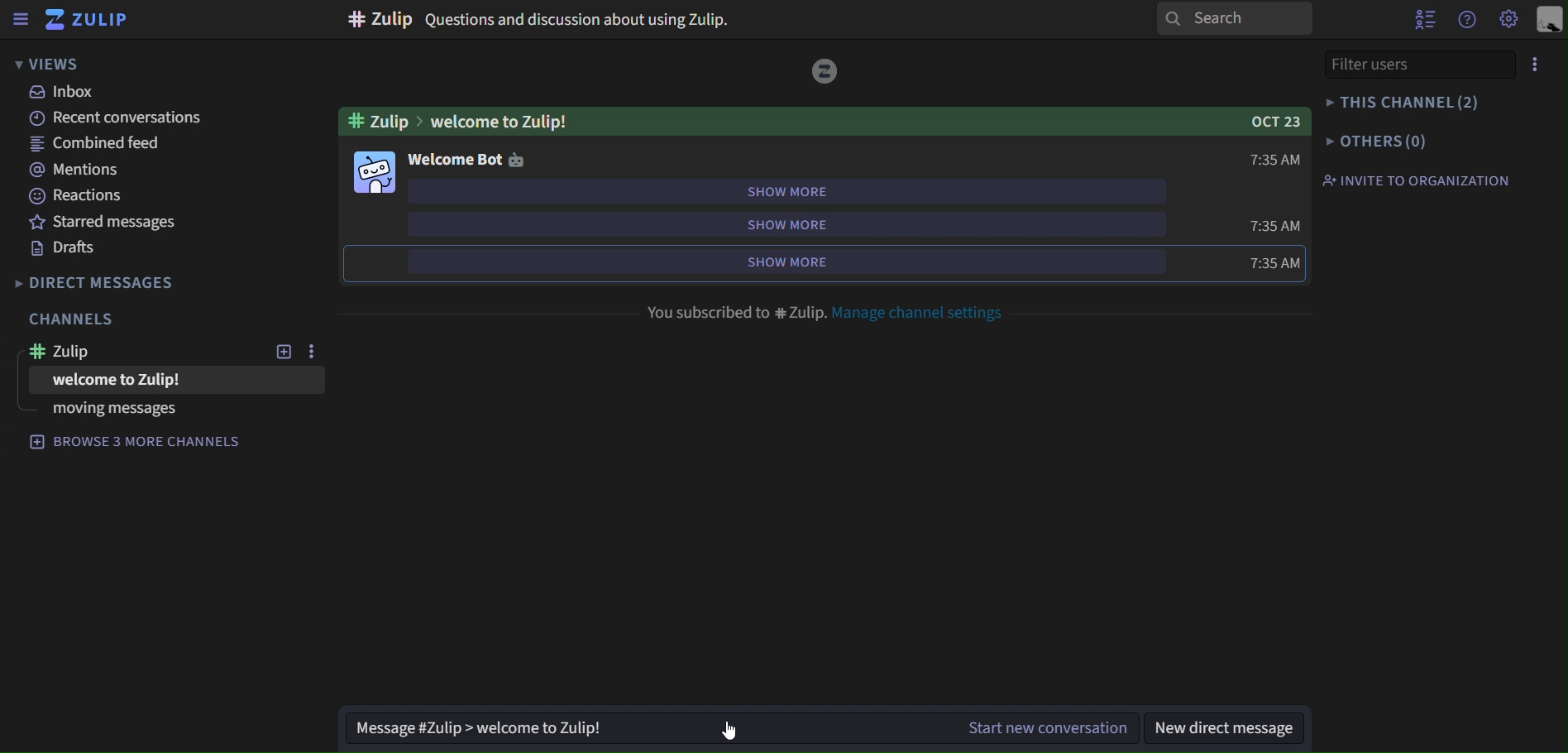  What do you see at coordinates (929, 312) in the screenshot?
I see `manage channel settings` at bounding box center [929, 312].